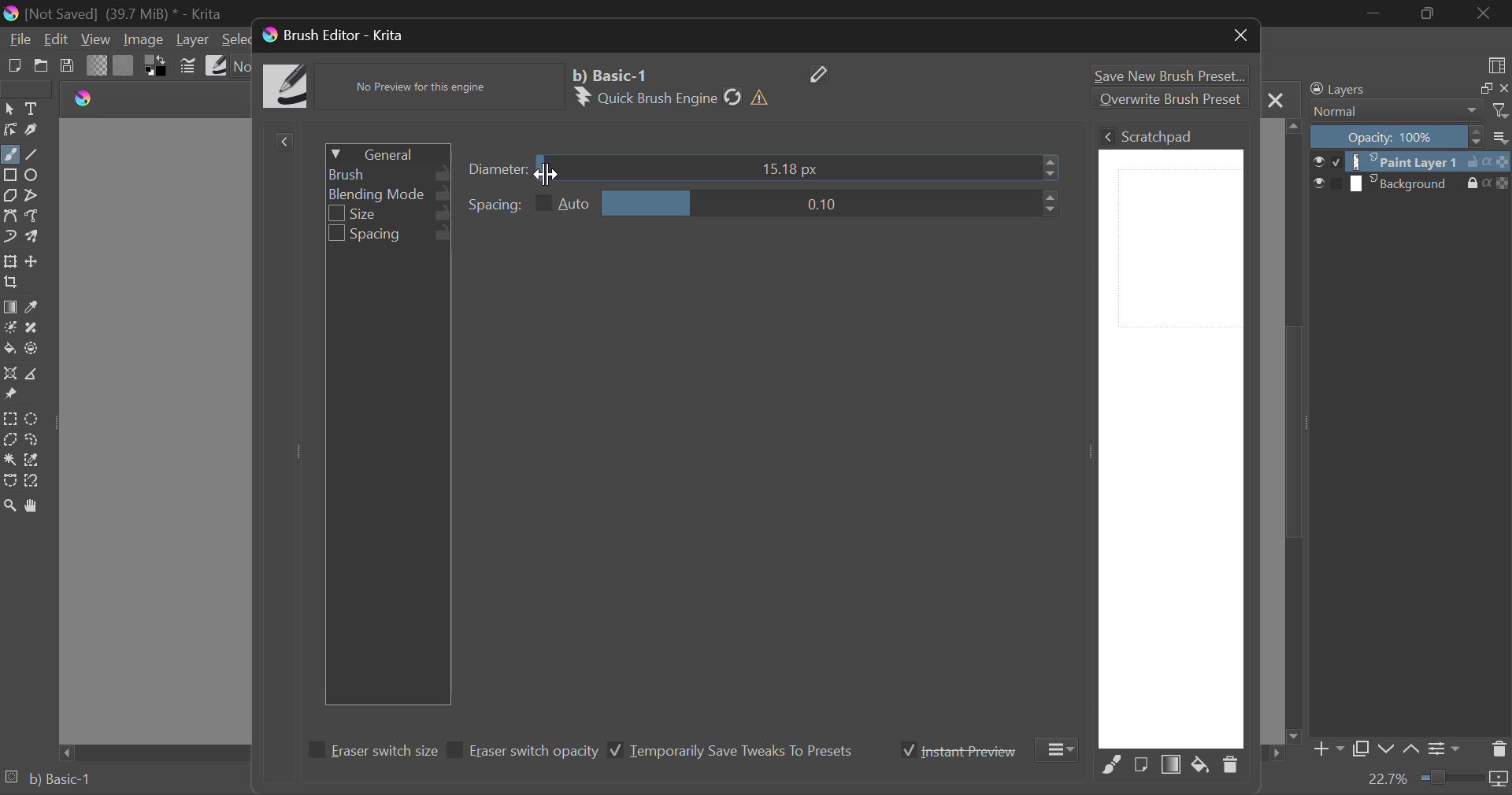  Describe the element at coordinates (821, 73) in the screenshot. I see `Edit Name` at that location.